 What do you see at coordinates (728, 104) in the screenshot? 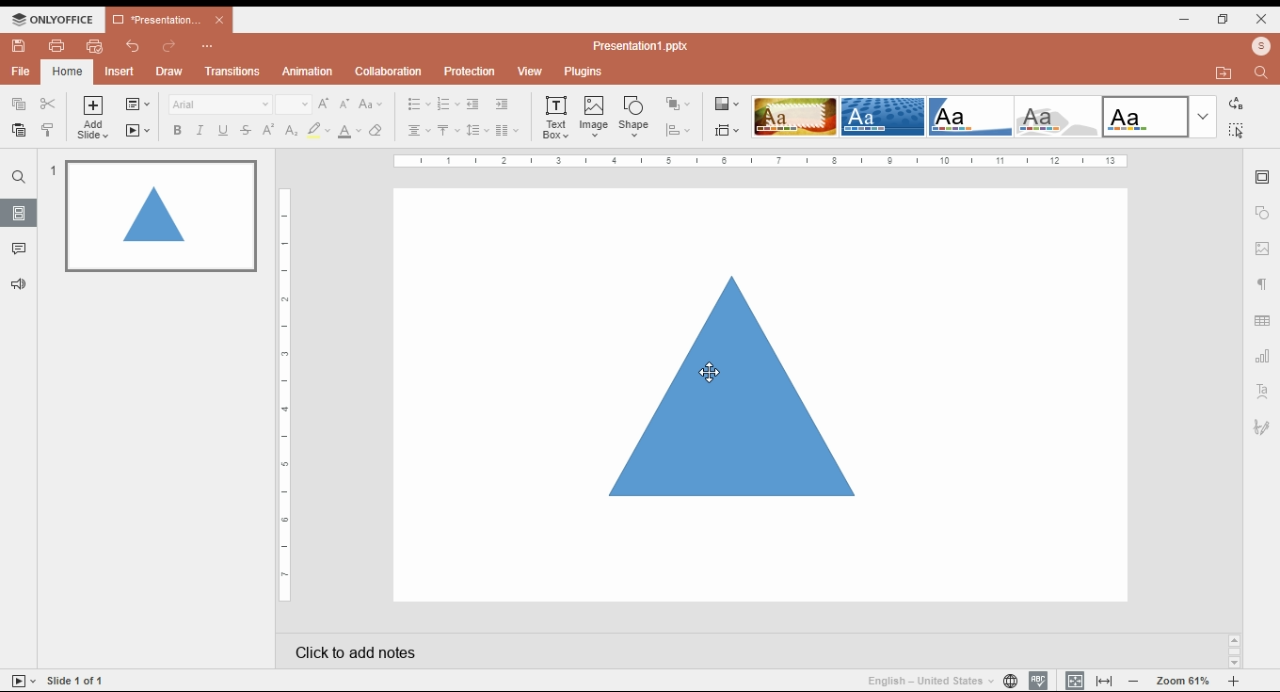
I see `select color theme` at bounding box center [728, 104].